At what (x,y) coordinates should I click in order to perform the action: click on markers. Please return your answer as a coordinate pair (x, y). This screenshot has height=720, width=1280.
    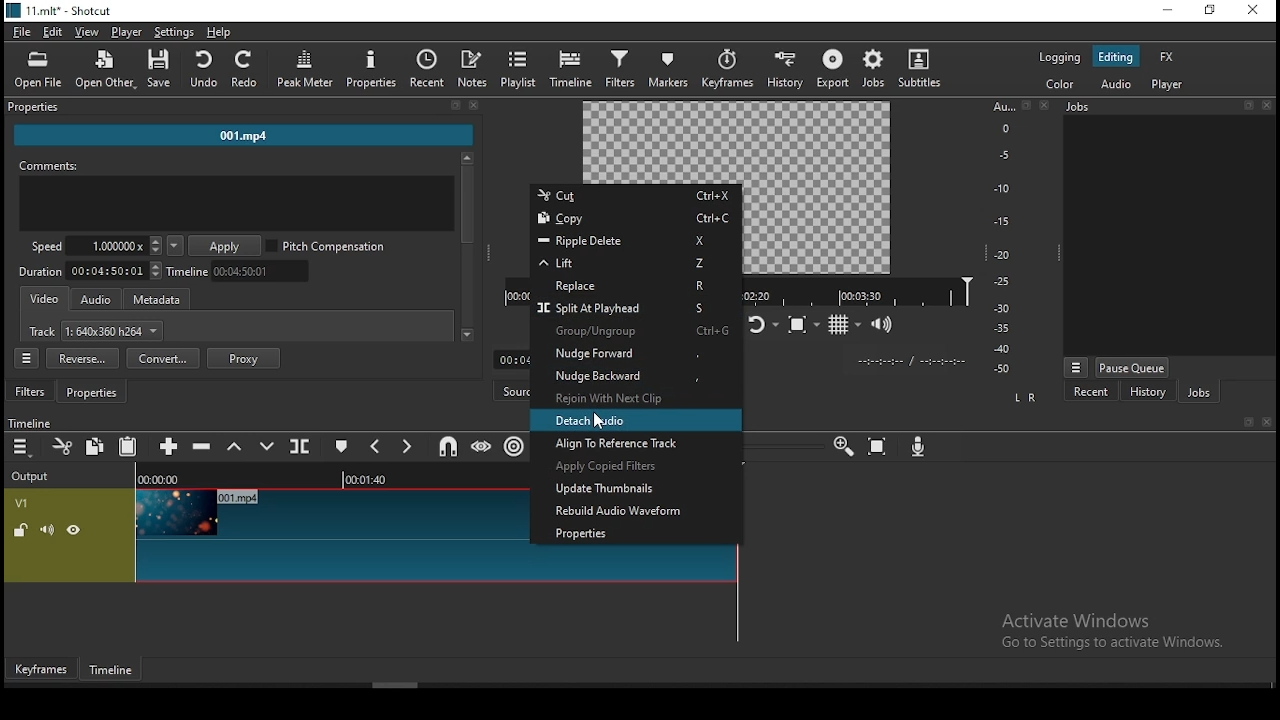
    Looking at the image, I should click on (671, 71).